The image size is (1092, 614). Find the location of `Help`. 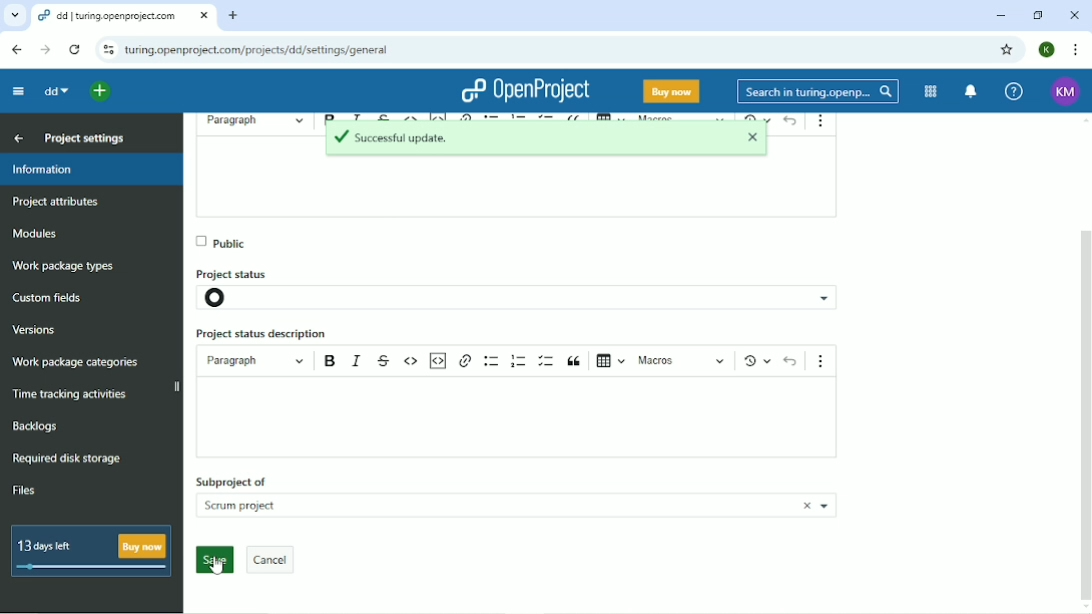

Help is located at coordinates (1014, 91).